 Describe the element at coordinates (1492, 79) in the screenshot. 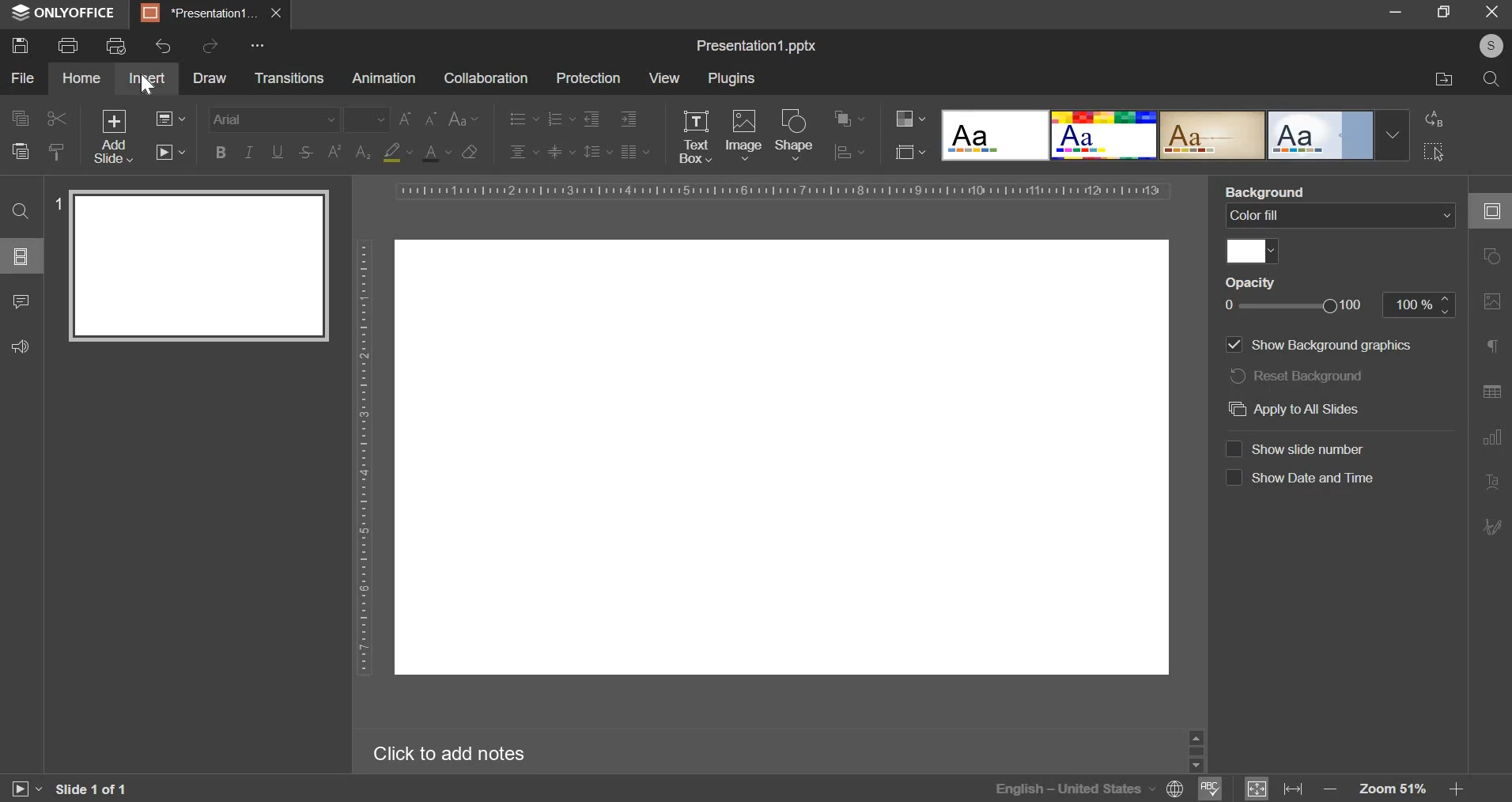

I see `search` at that location.